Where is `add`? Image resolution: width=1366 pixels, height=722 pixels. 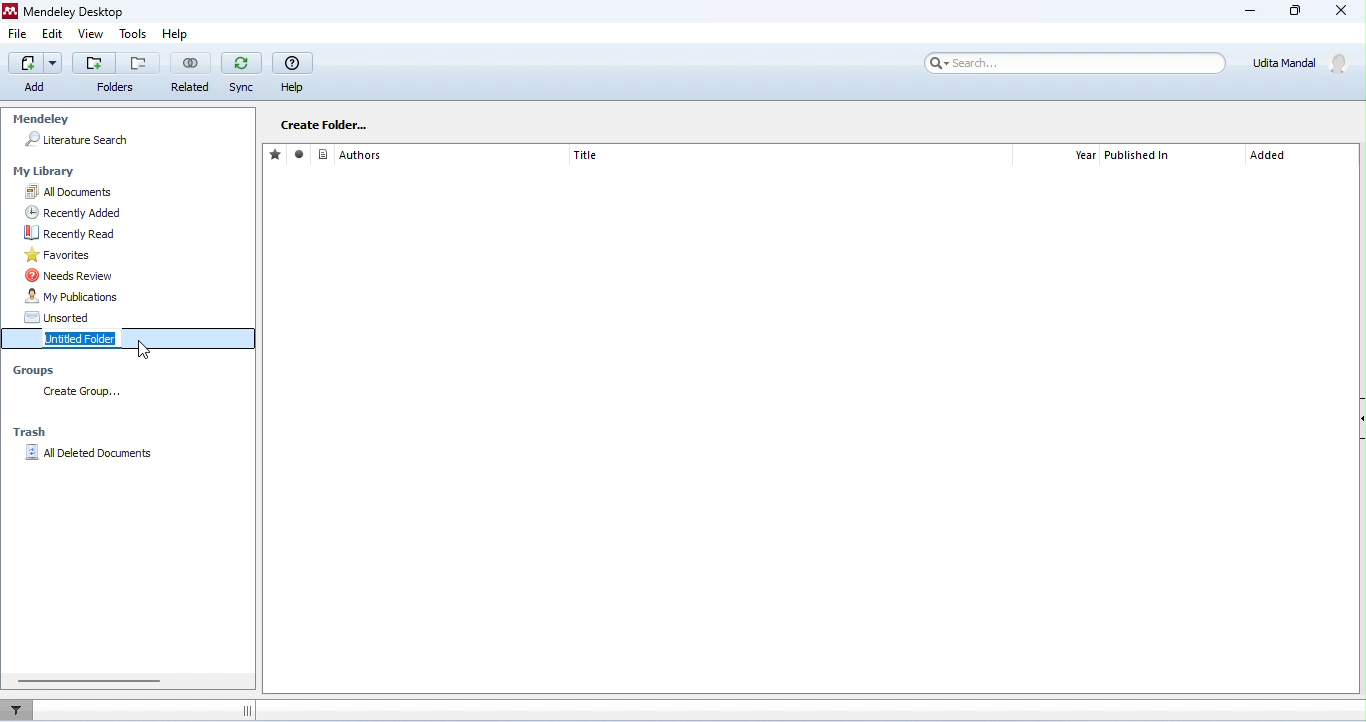
add is located at coordinates (94, 62).